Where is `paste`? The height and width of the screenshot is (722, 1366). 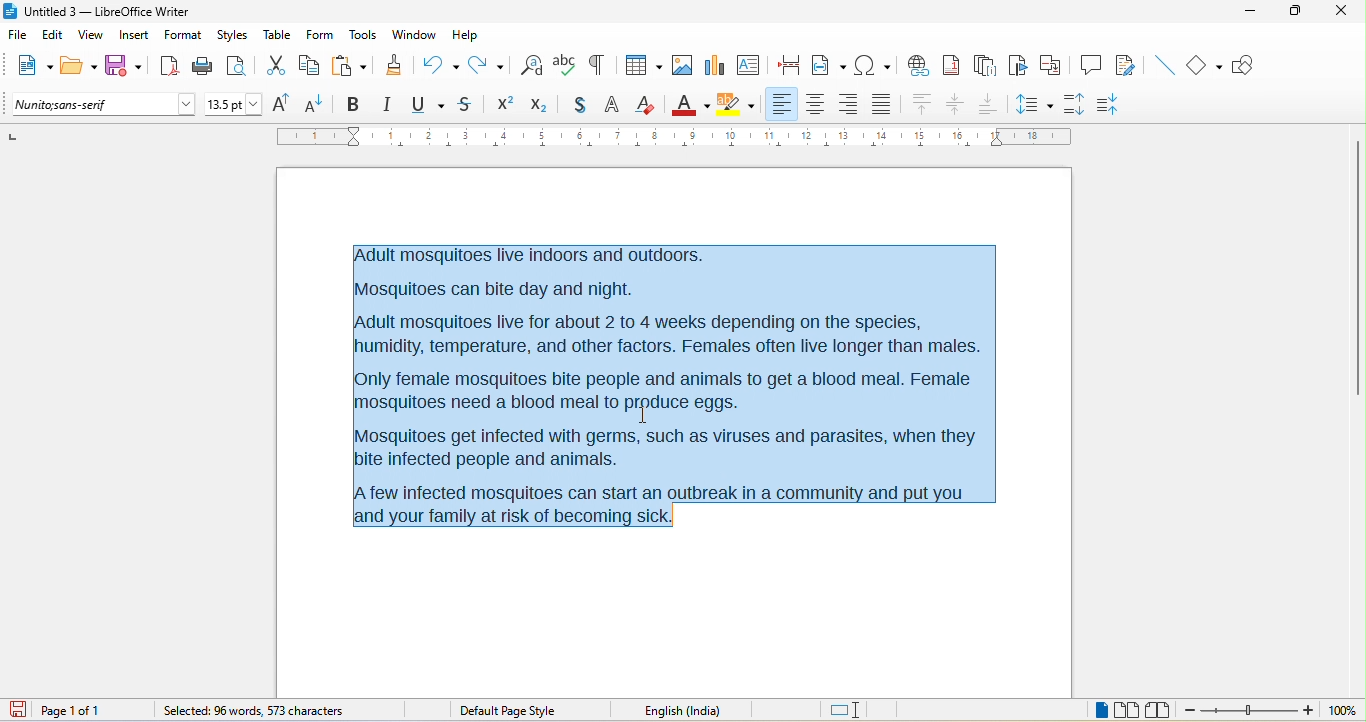 paste is located at coordinates (356, 66).